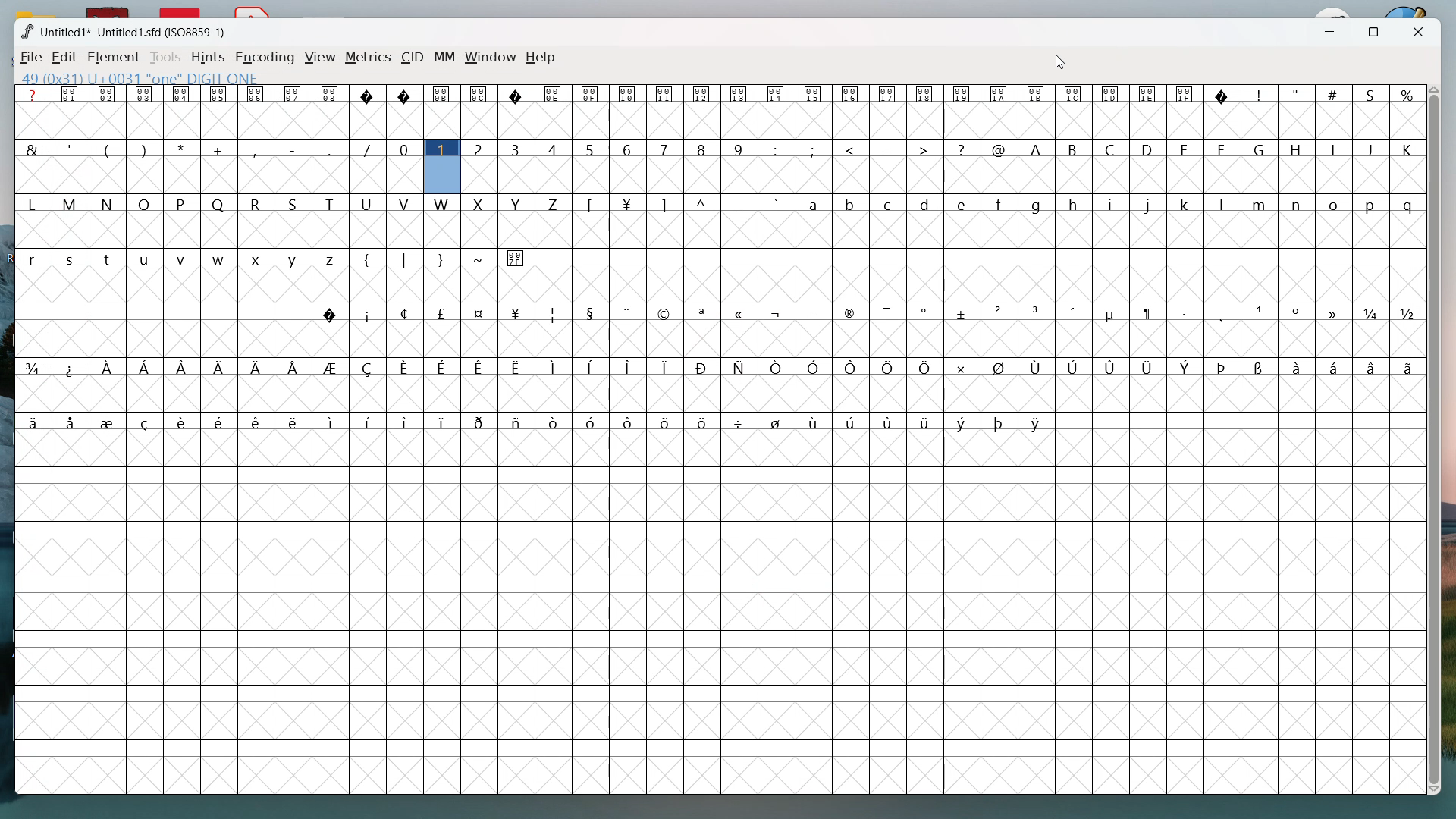 This screenshot has height=819, width=1456. Describe the element at coordinates (182, 367) in the screenshot. I see `symbol` at that location.